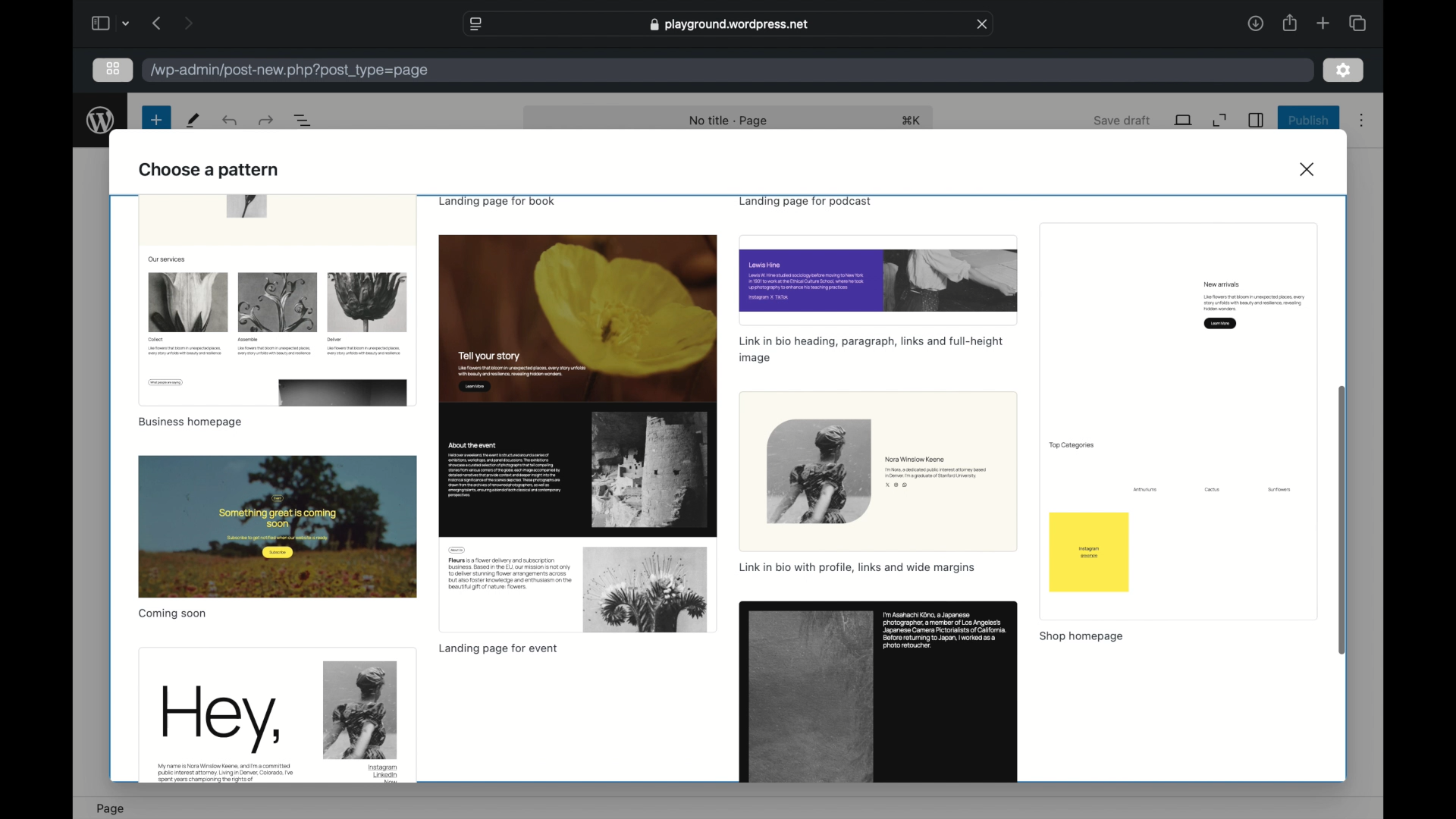 This screenshot has width=1456, height=819. What do you see at coordinates (127, 23) in the screenshot?
I see `tab group picker` at bounding box center [127, 23].